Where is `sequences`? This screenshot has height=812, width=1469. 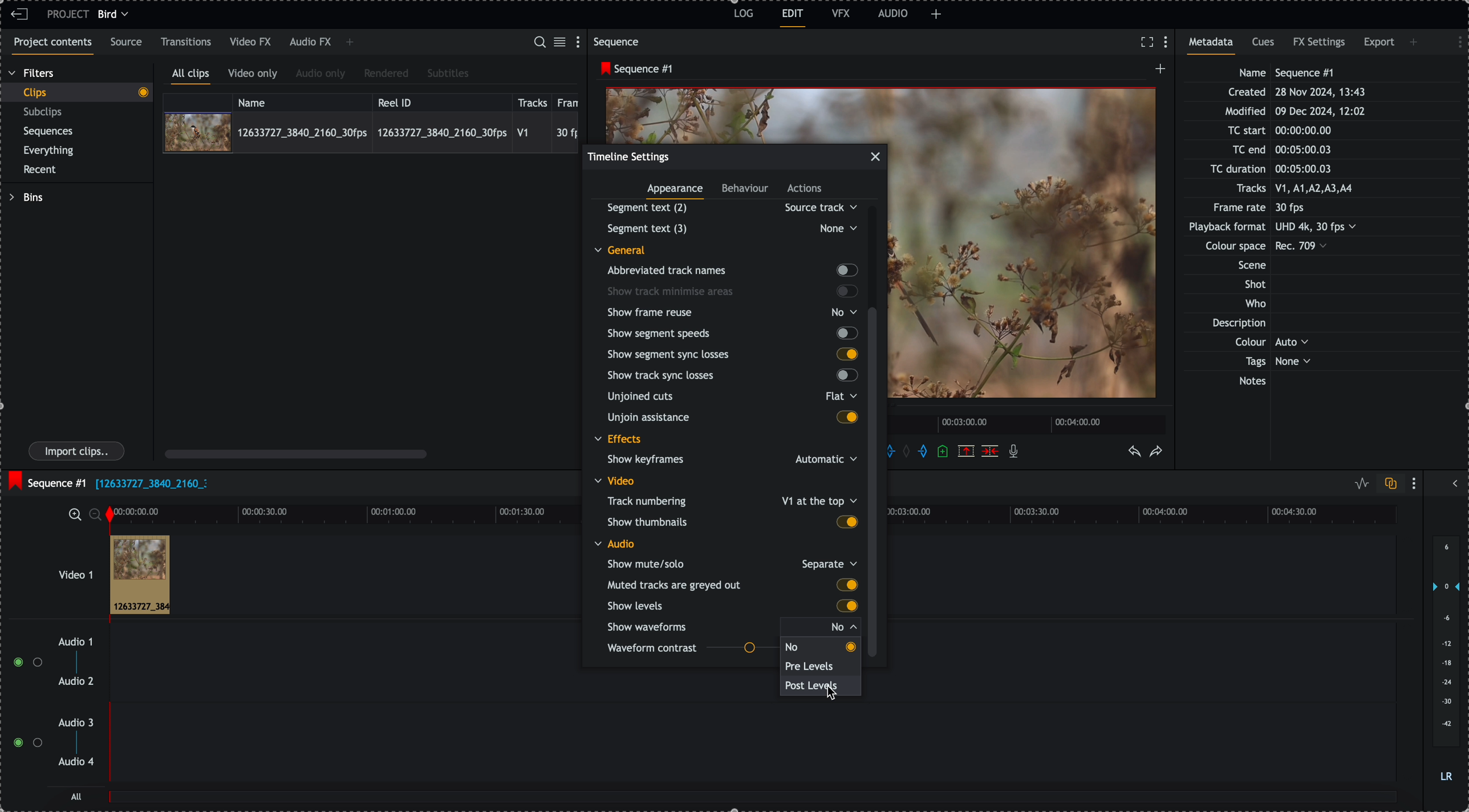
sequences is located at coordinates (48, 133).